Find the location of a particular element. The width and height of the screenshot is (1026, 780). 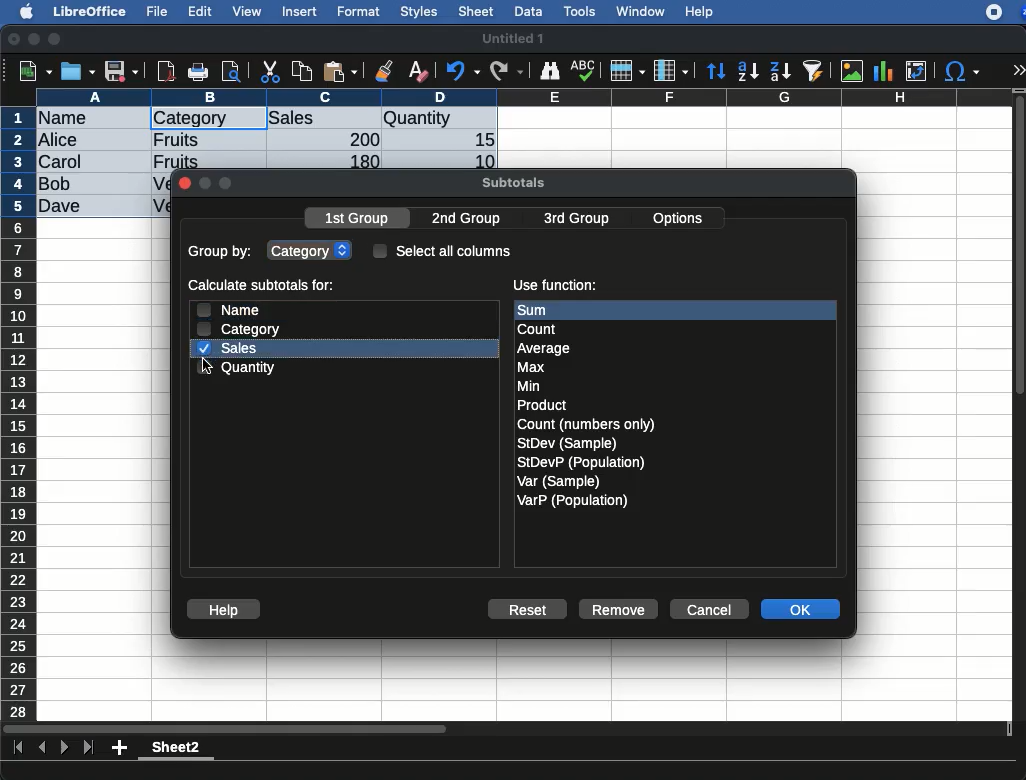

Count is located at coordinates (540, 329).